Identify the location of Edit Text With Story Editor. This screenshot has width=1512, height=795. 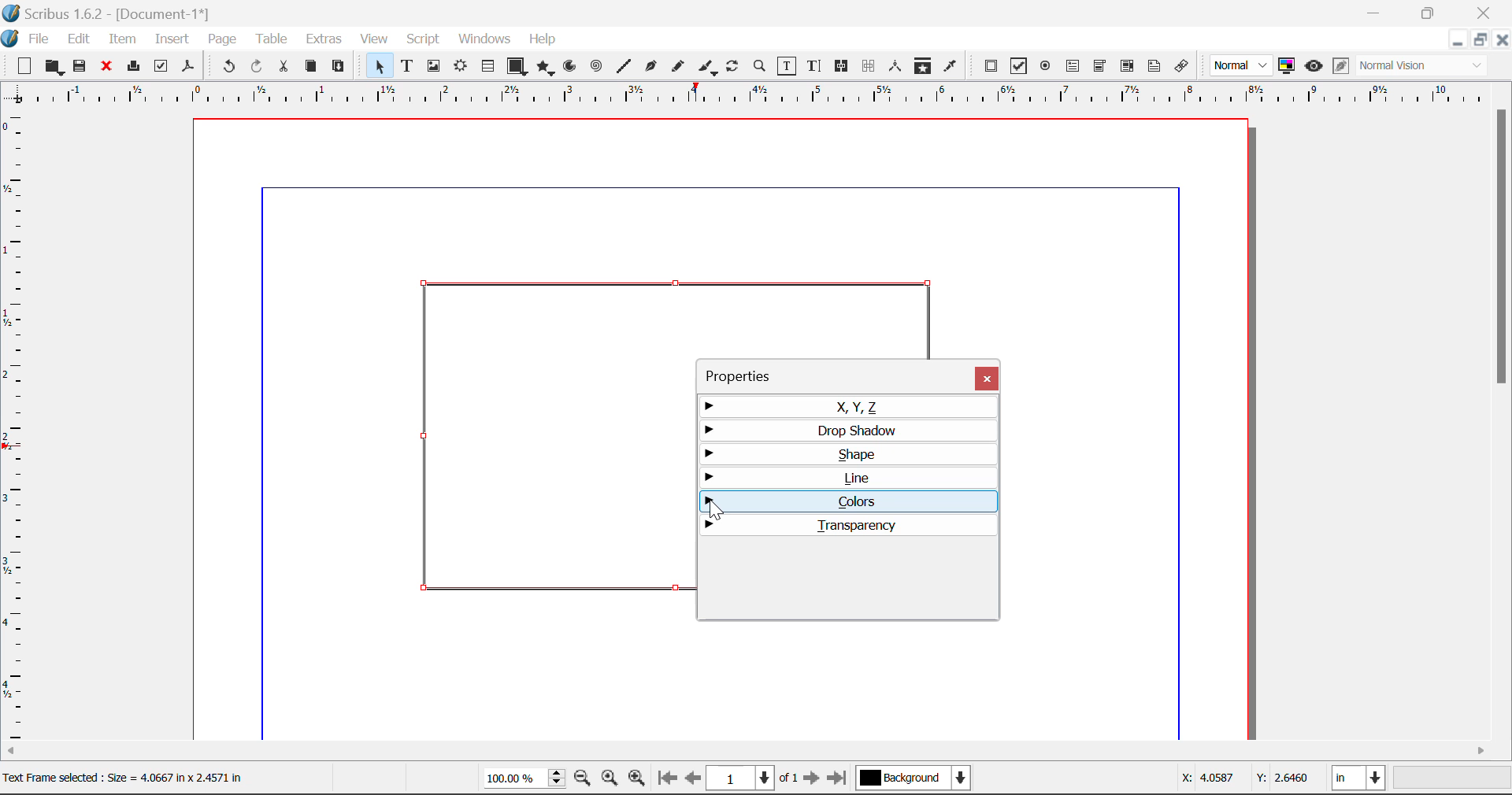
(813, 67).